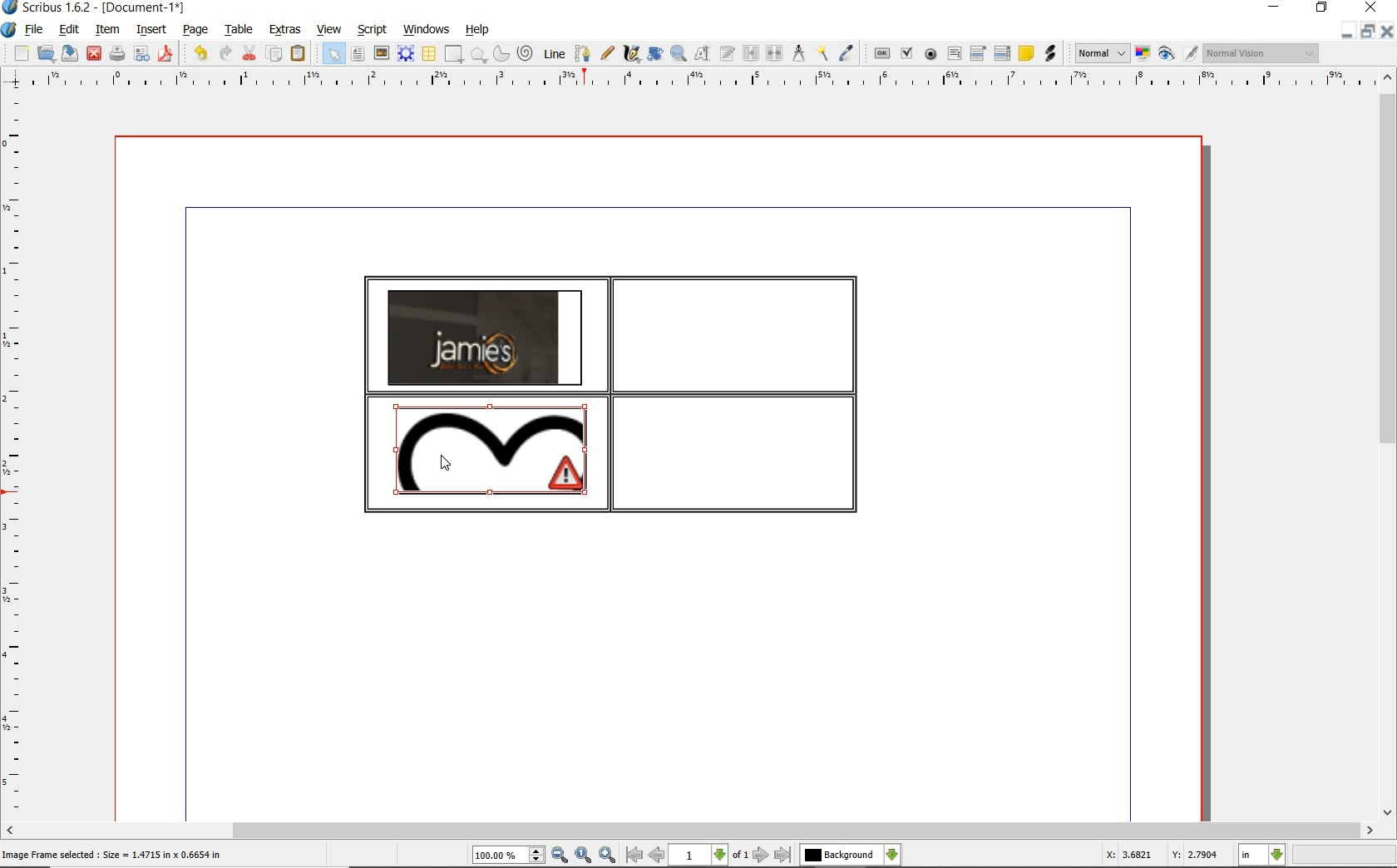 The image size is (1397, 868). What do you see at coordinates (1259, 53) in the screenshot?
I see `visual appearance of the display` at bounding box center [1259, 53].